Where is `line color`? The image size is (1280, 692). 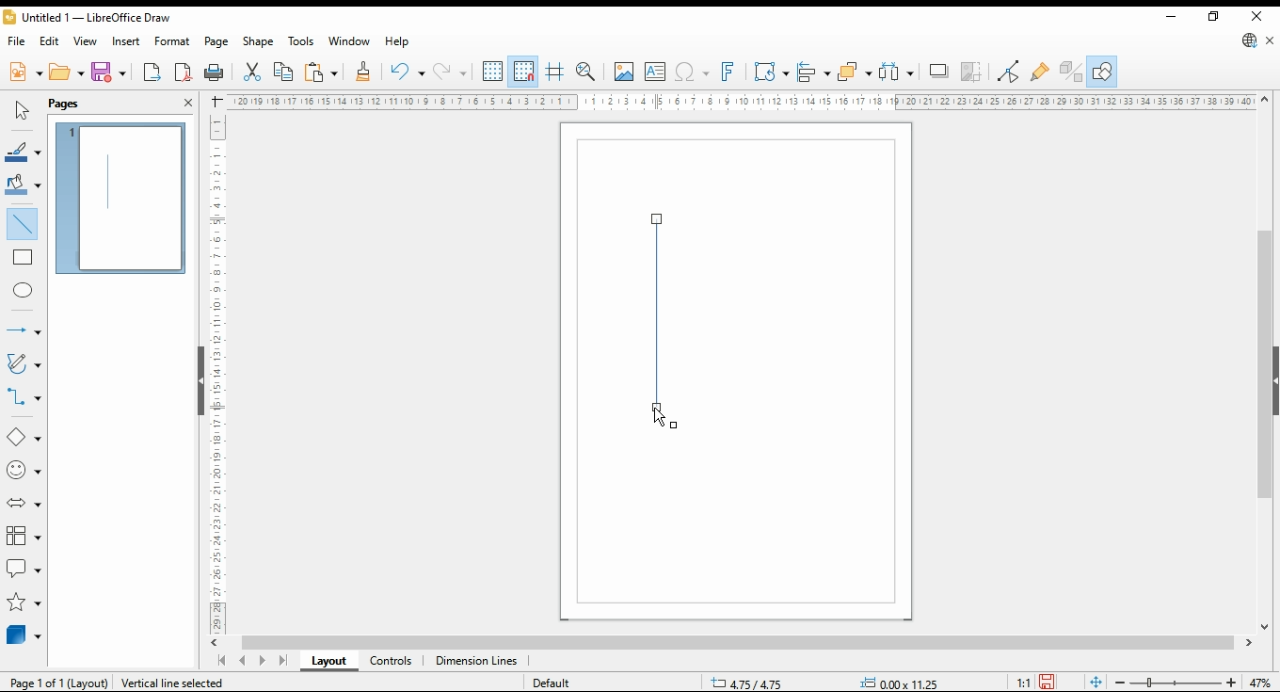 line color is located at coordinates (22, 153).